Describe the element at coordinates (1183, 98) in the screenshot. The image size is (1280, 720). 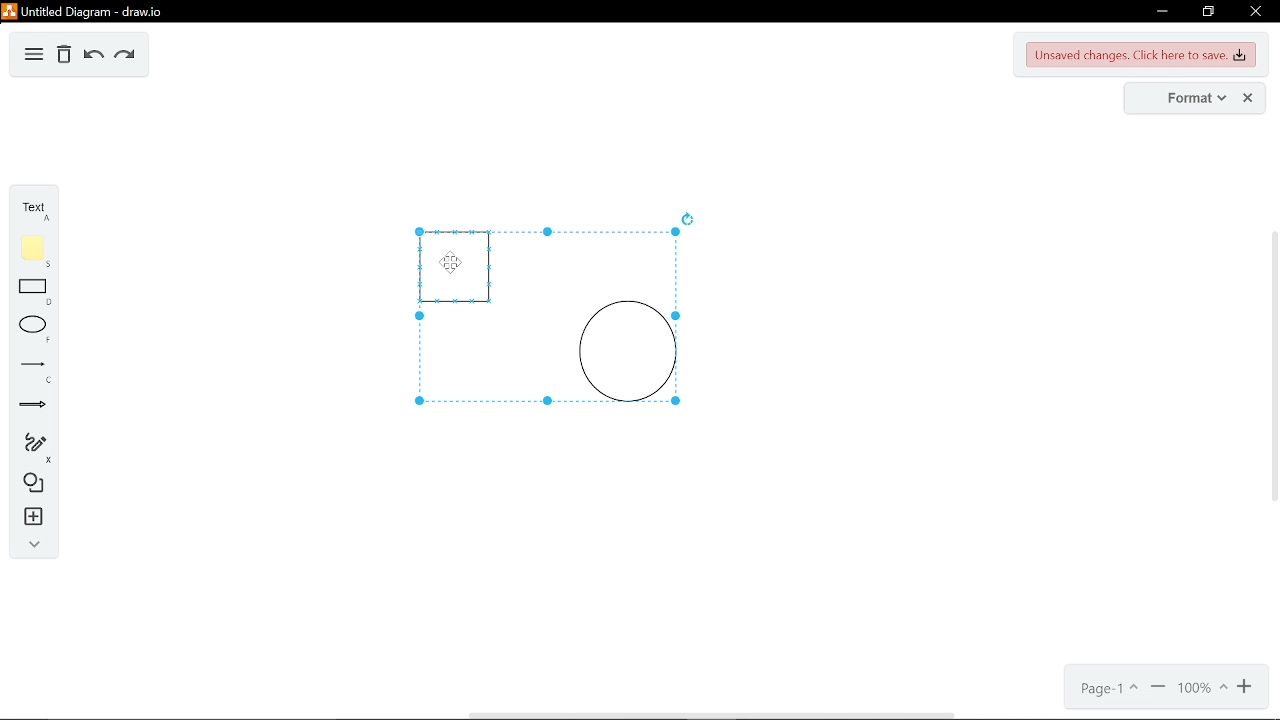
I see `format` at that location.